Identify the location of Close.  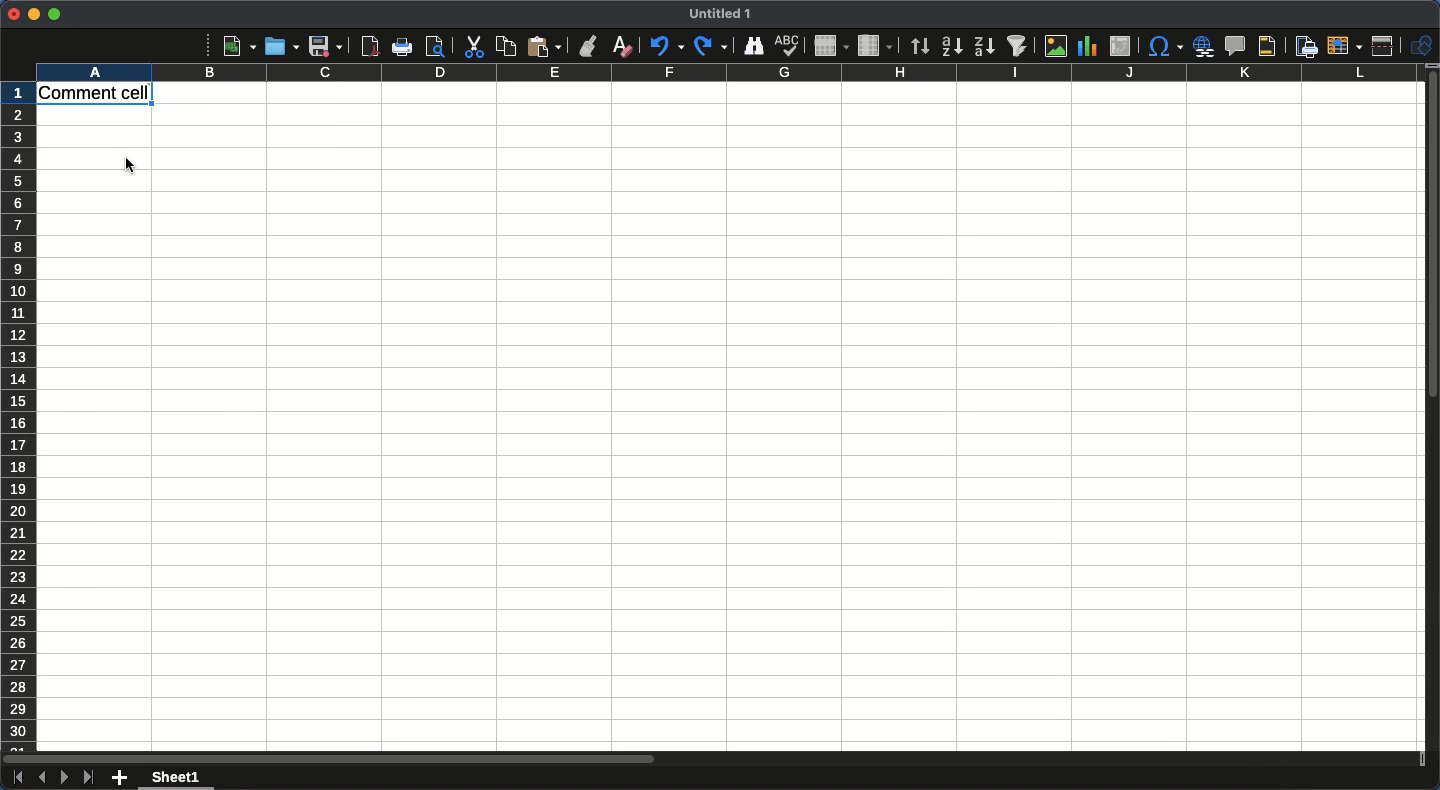
(10, 12).